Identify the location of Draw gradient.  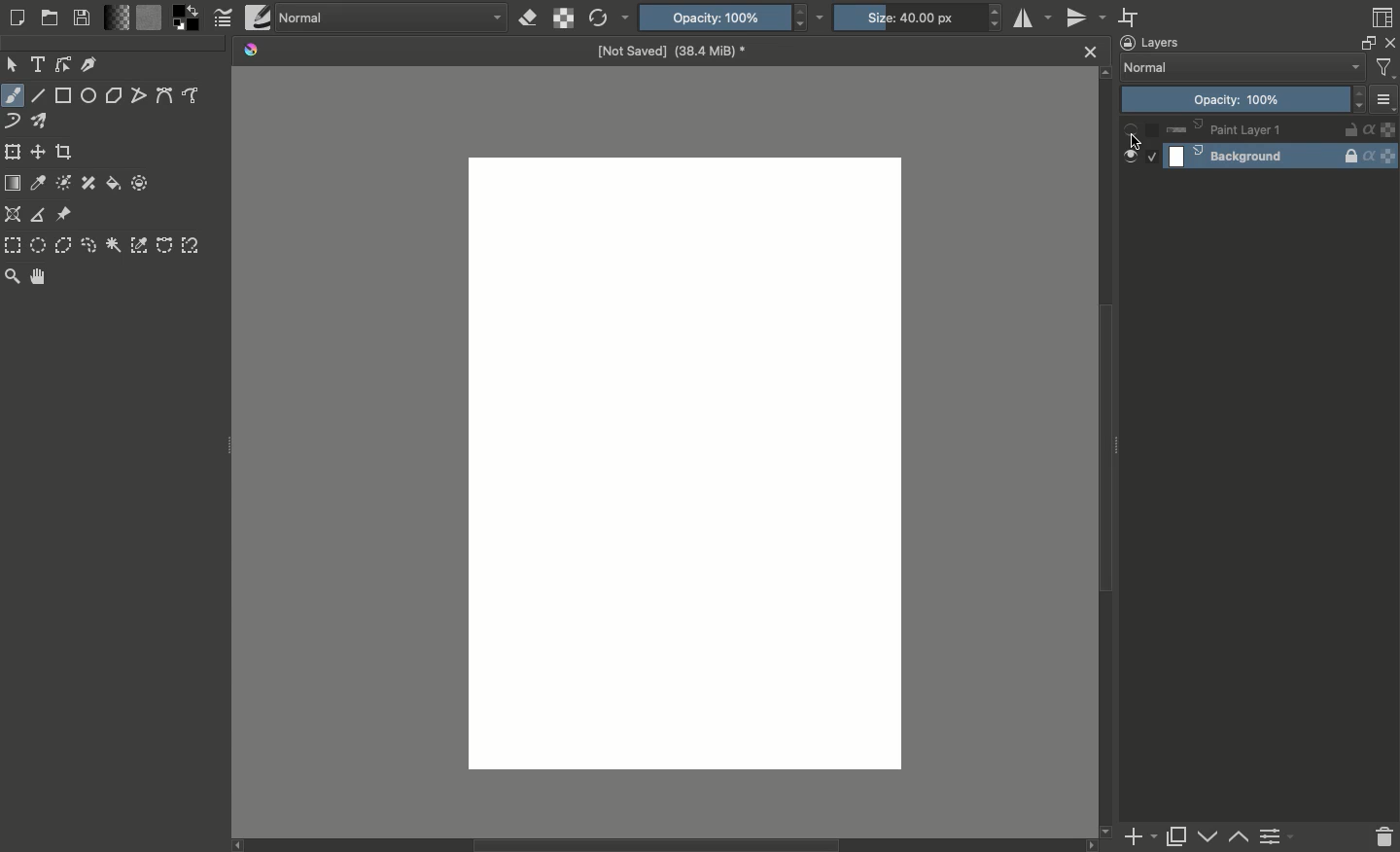
(16, 185).